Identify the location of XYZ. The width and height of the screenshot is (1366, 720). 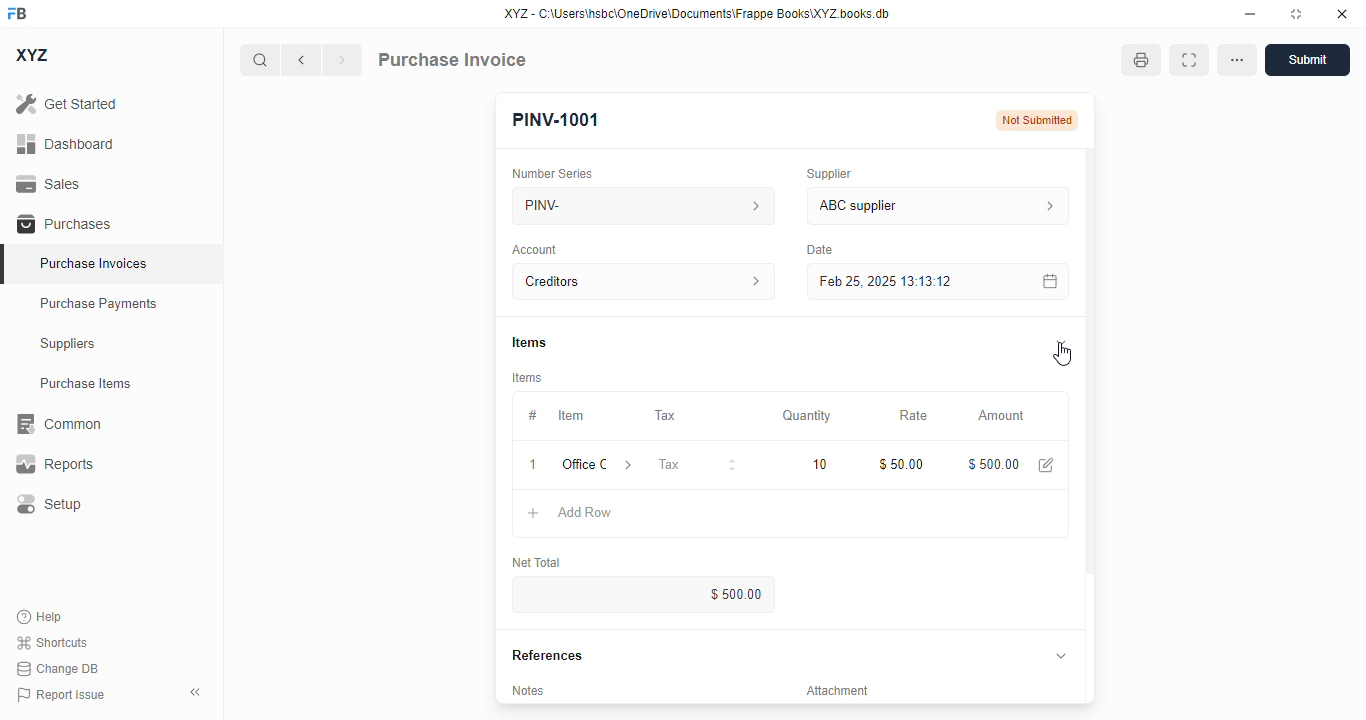
(34, 55).